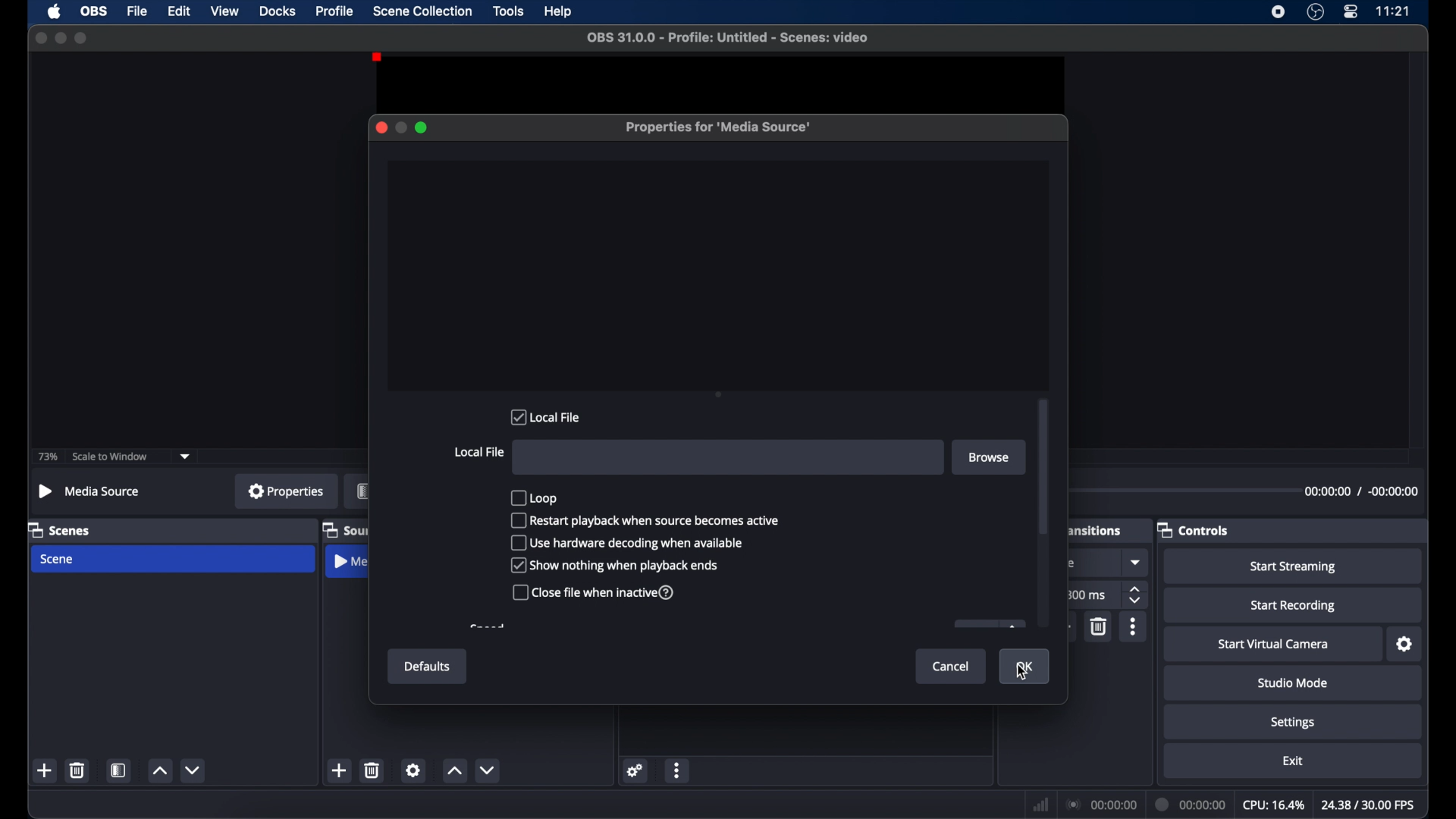  I want to click on more options, so click(1133, 626).